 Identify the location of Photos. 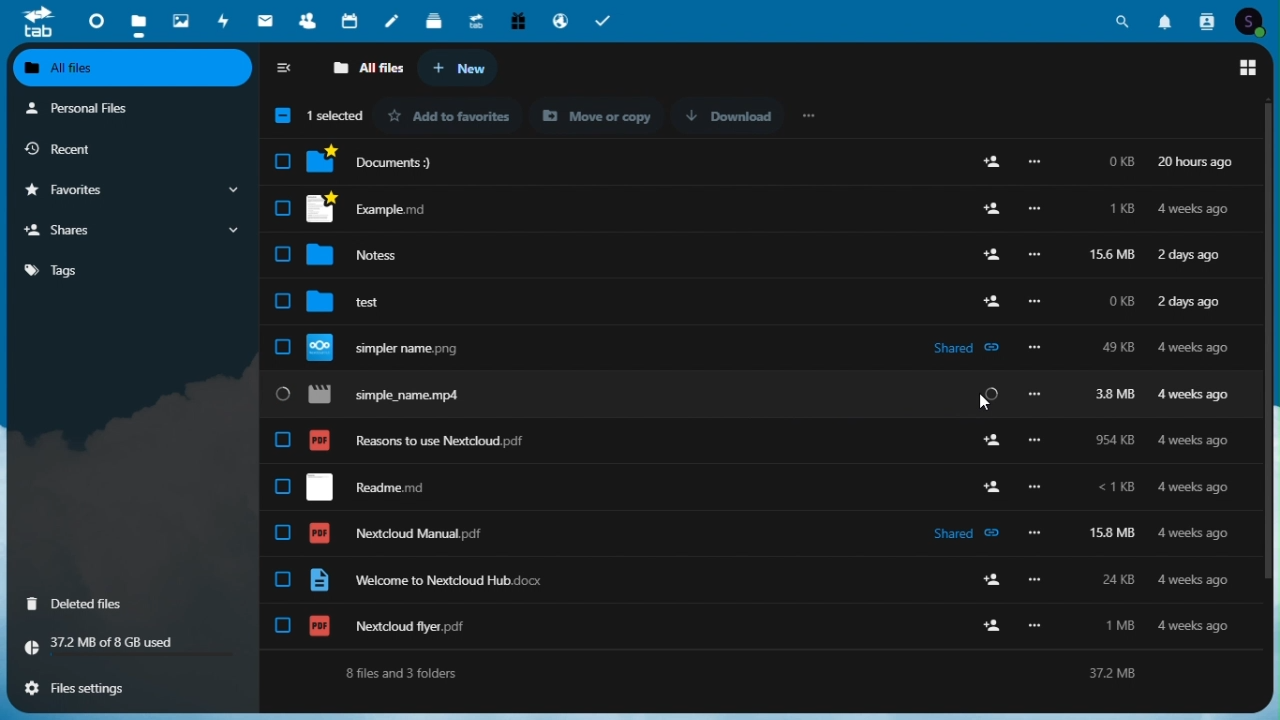
(182, 17).